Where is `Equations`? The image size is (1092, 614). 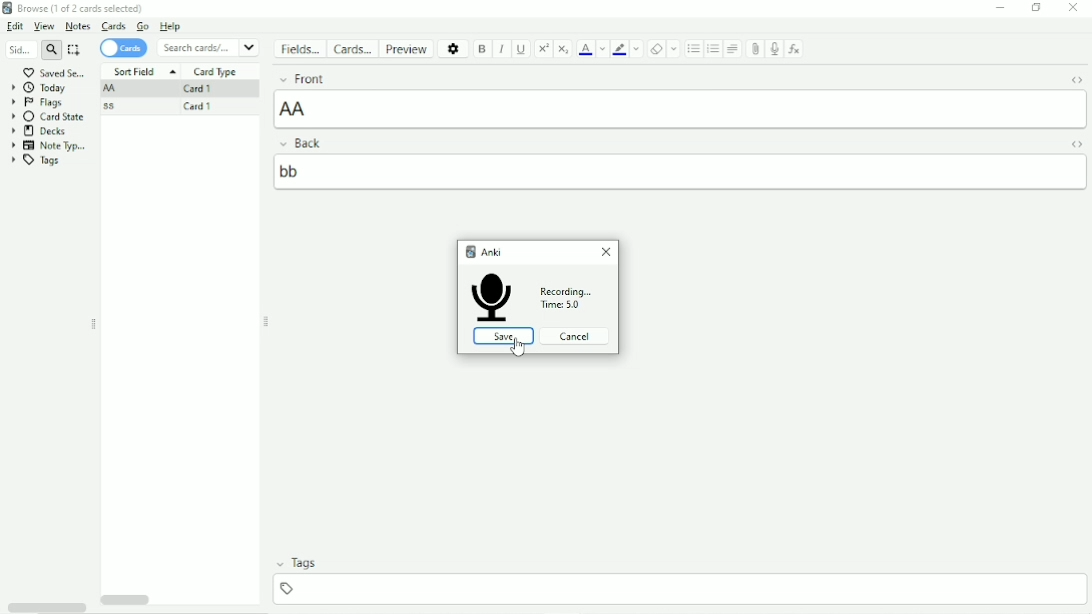 Equations is located at coordinates (795, 49).